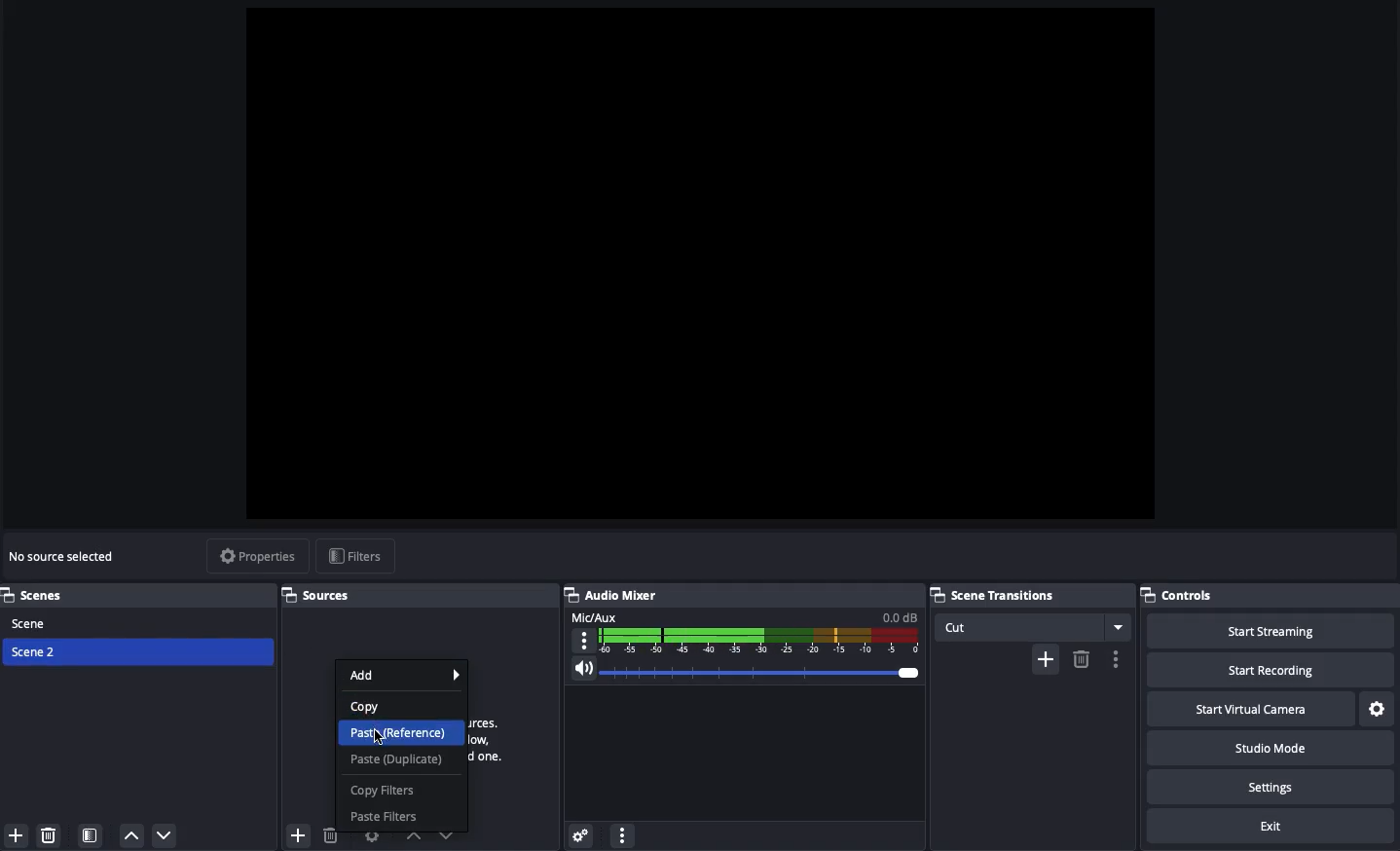 This screenshot has height=851, width=1400. What do you see at coordinates (1376, 706) in the screenshot?
I see `Settings` at bounding box center [1376, 706].